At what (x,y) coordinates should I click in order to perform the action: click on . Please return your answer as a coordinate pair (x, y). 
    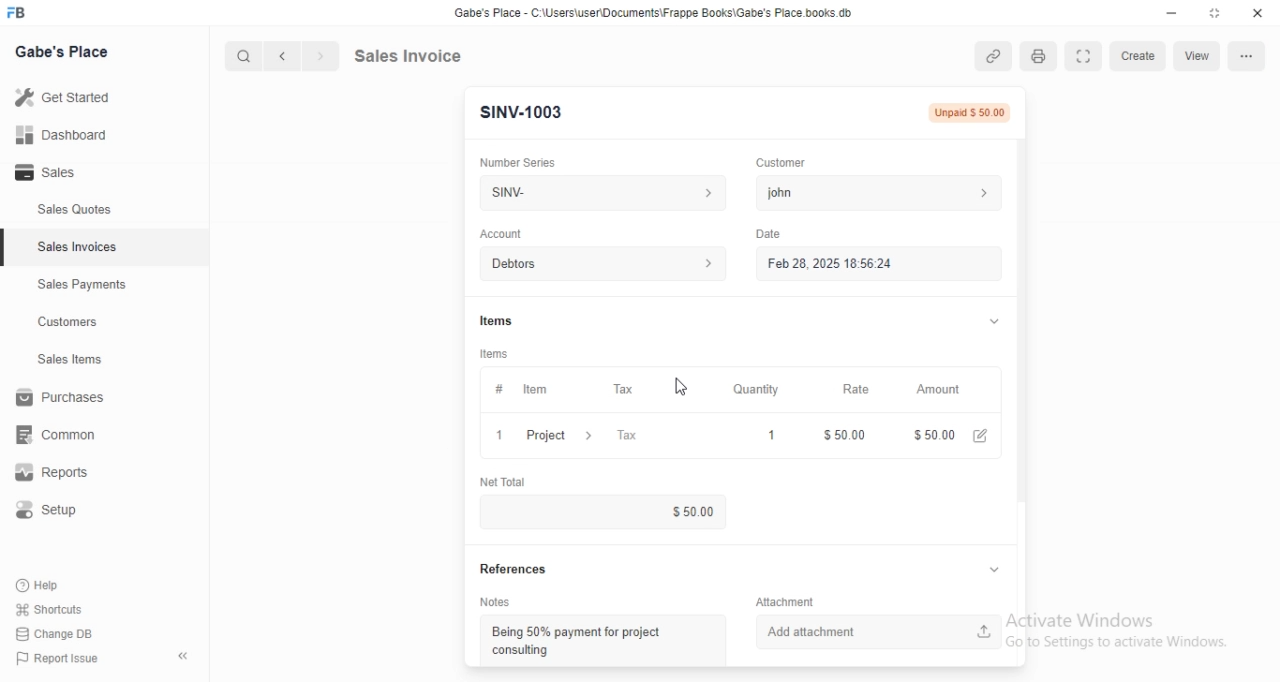
    Looking at the image, I should click on (795, 604).